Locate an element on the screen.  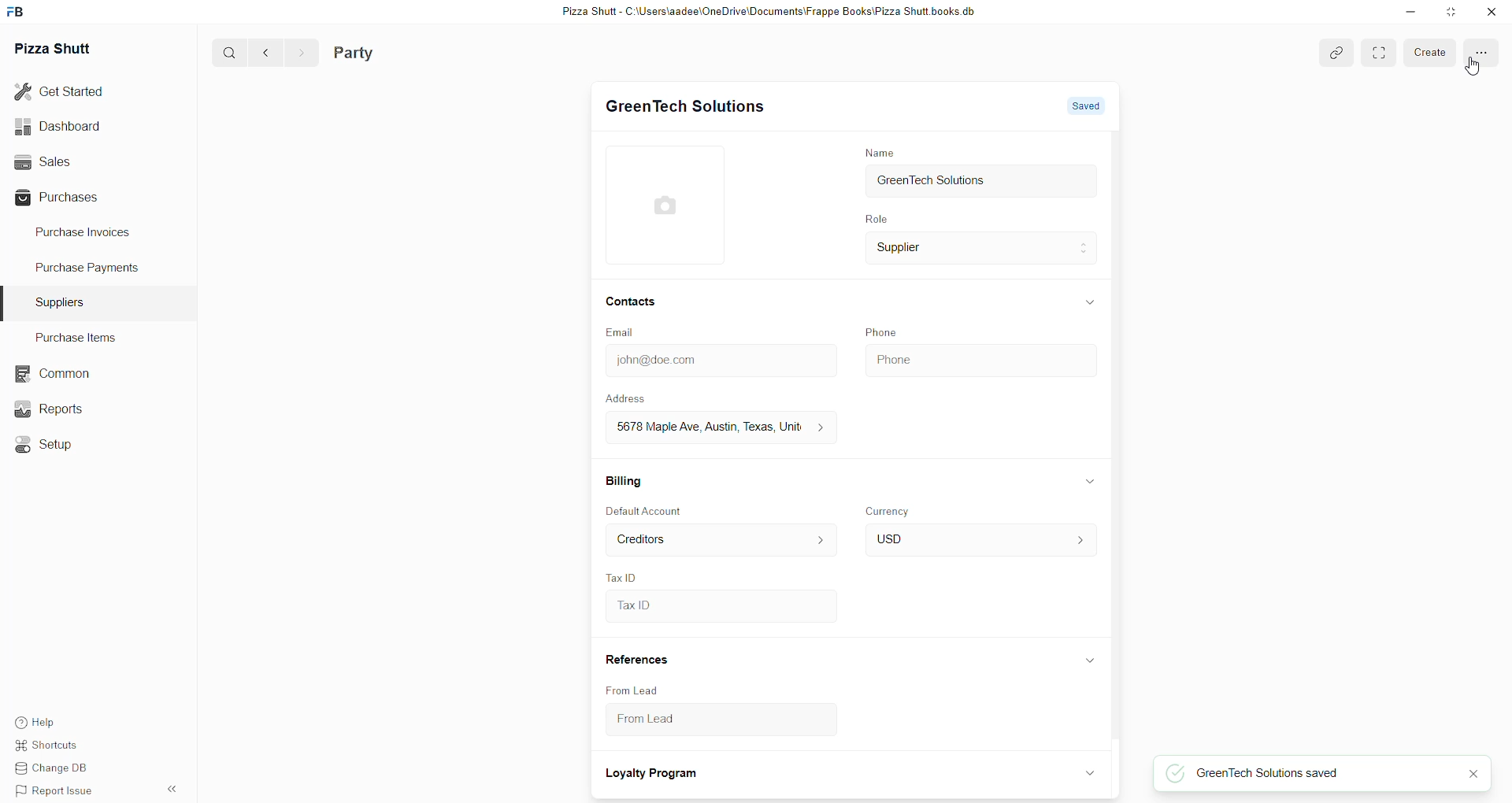
Currency is located at coordinates (891, 510).